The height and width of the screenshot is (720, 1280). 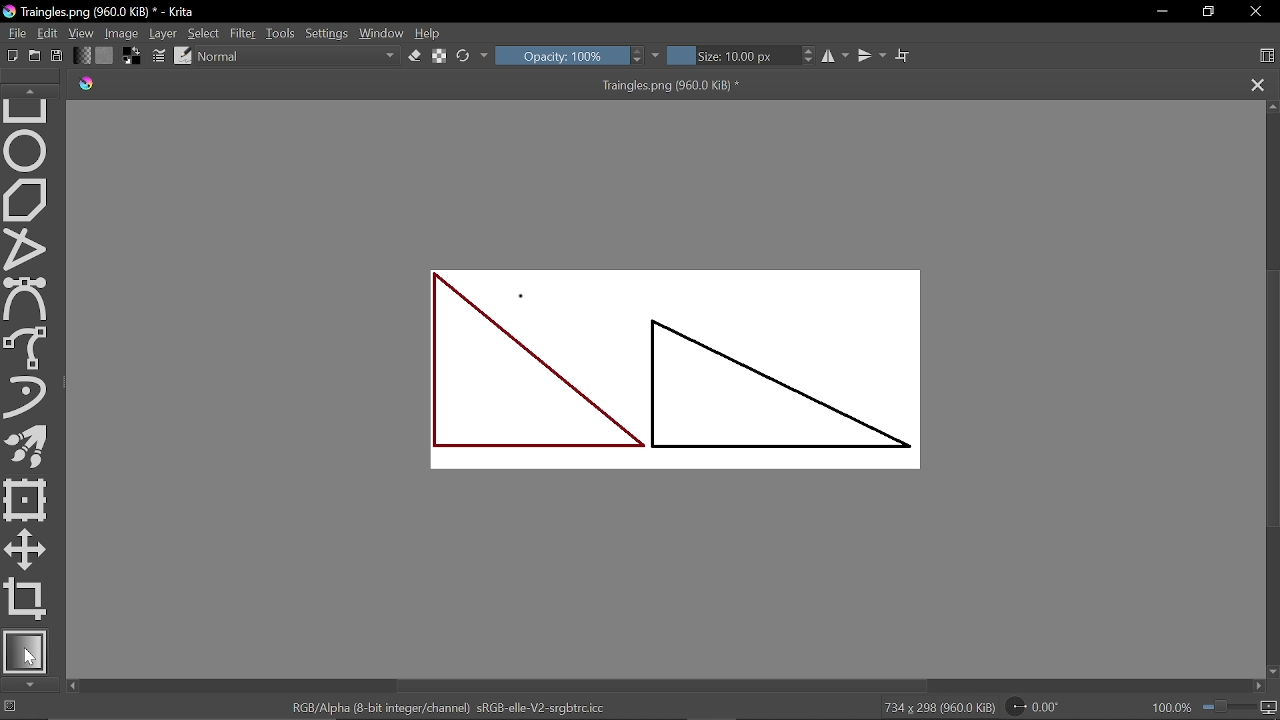 I want to click on No selection , so click(x=8, y=708).